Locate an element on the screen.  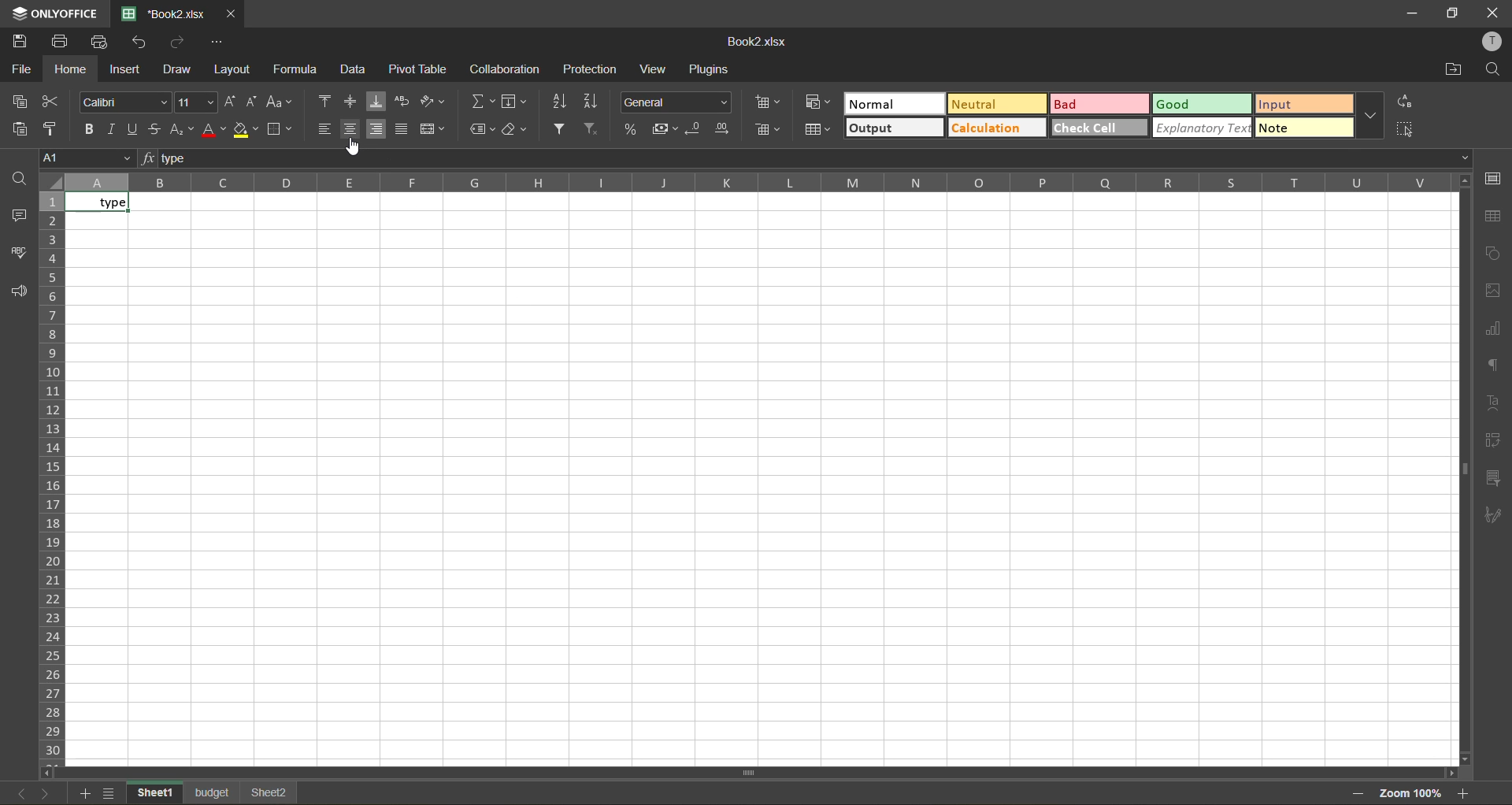
print is located at coordinates (65, 42).